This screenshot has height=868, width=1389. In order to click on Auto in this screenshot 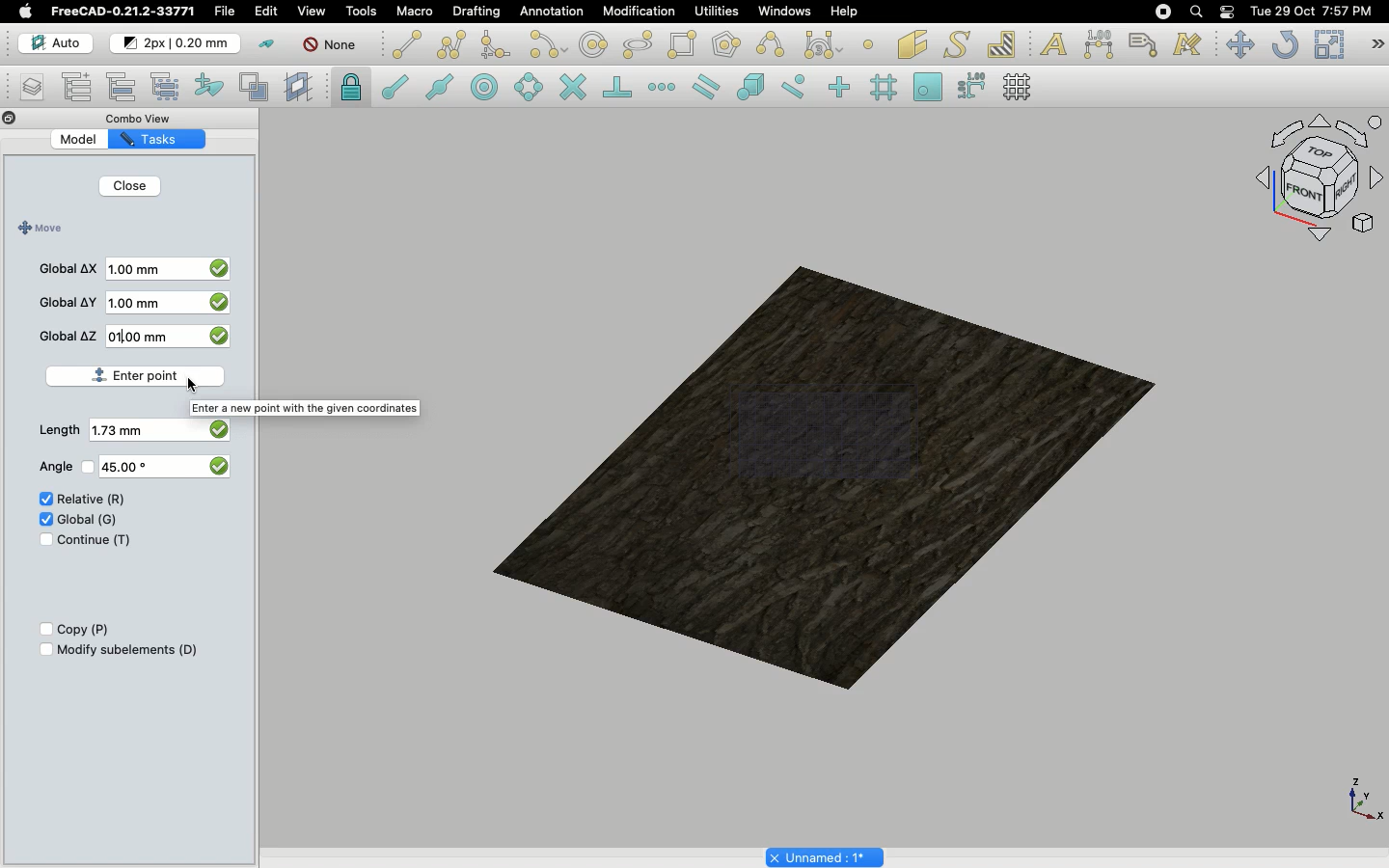, I will do `click(57, 43)`.